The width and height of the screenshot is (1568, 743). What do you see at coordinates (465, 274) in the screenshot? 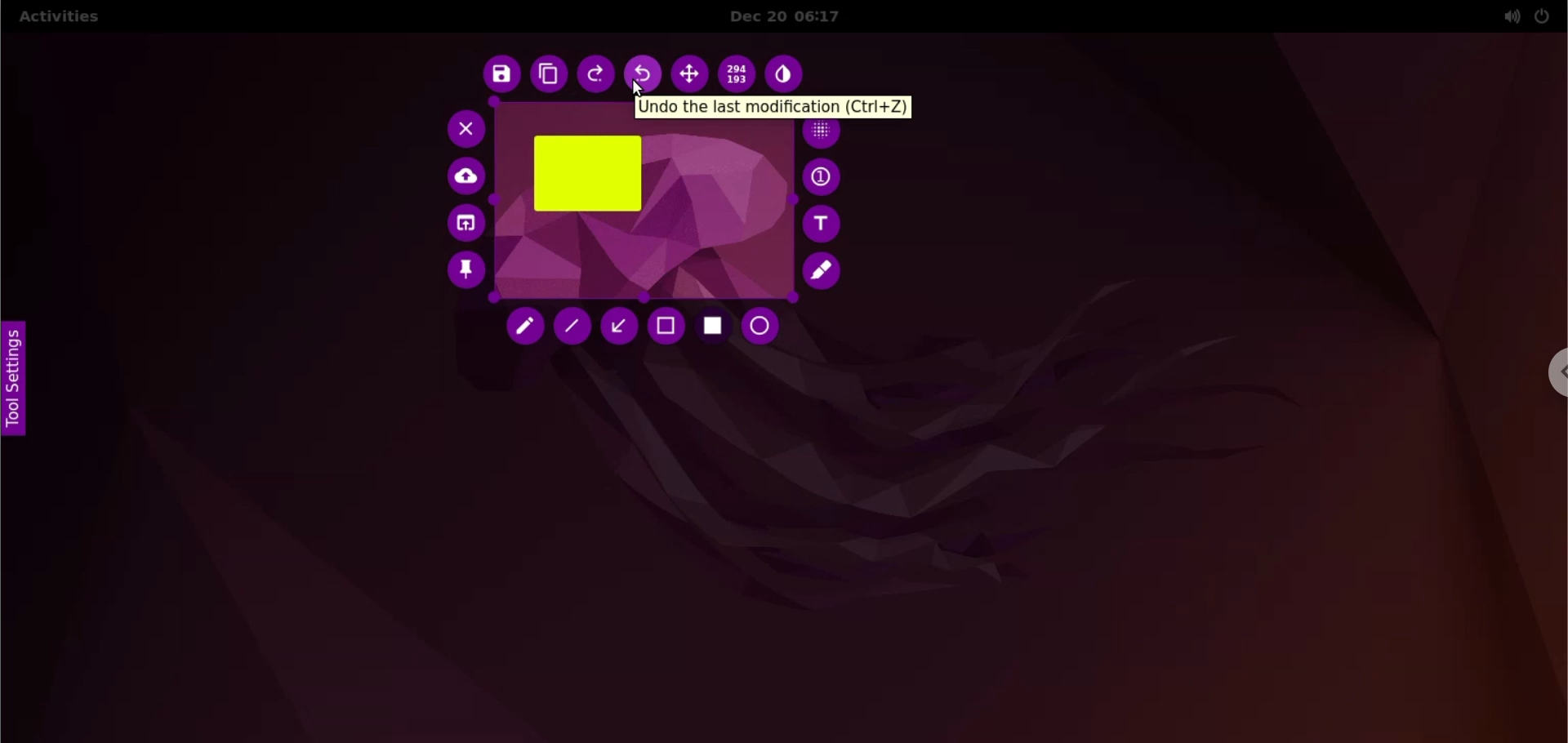
I see `pin` at bounding box center [465, 274].